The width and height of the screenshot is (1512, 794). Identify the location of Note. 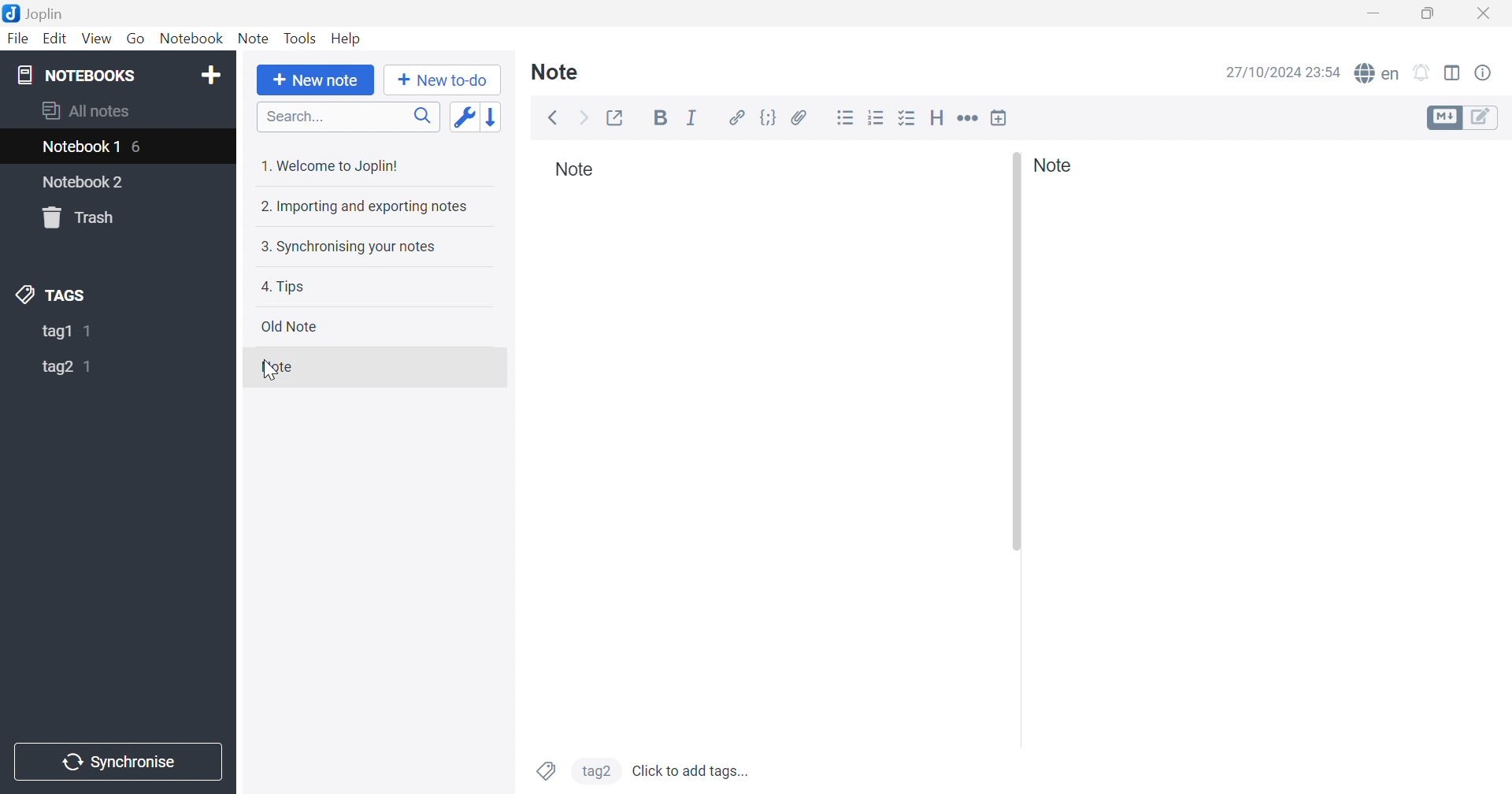
(278, 368).